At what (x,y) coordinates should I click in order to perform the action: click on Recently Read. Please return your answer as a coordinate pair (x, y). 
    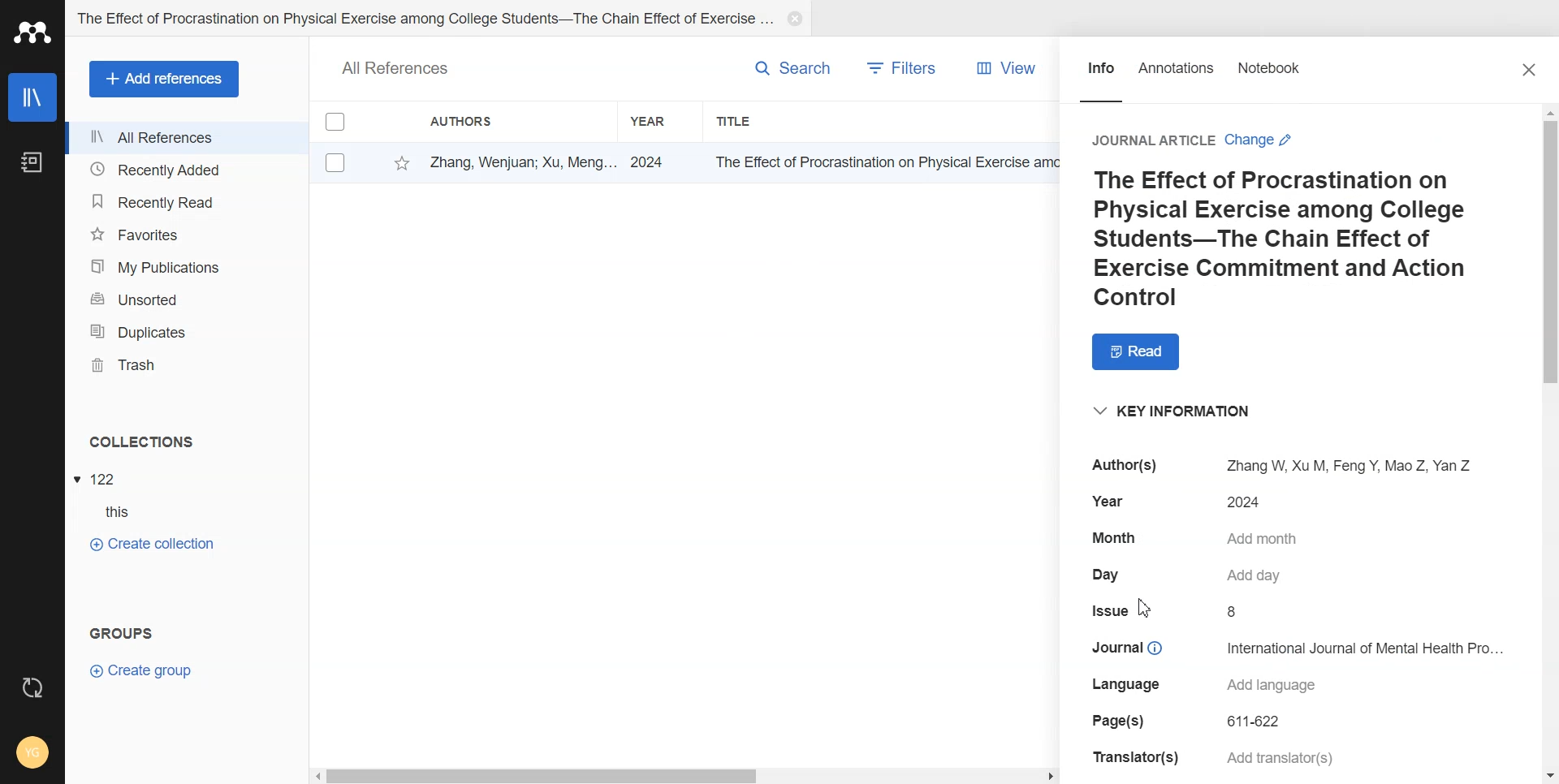
    Looking at the image, I should click on (186, 200).